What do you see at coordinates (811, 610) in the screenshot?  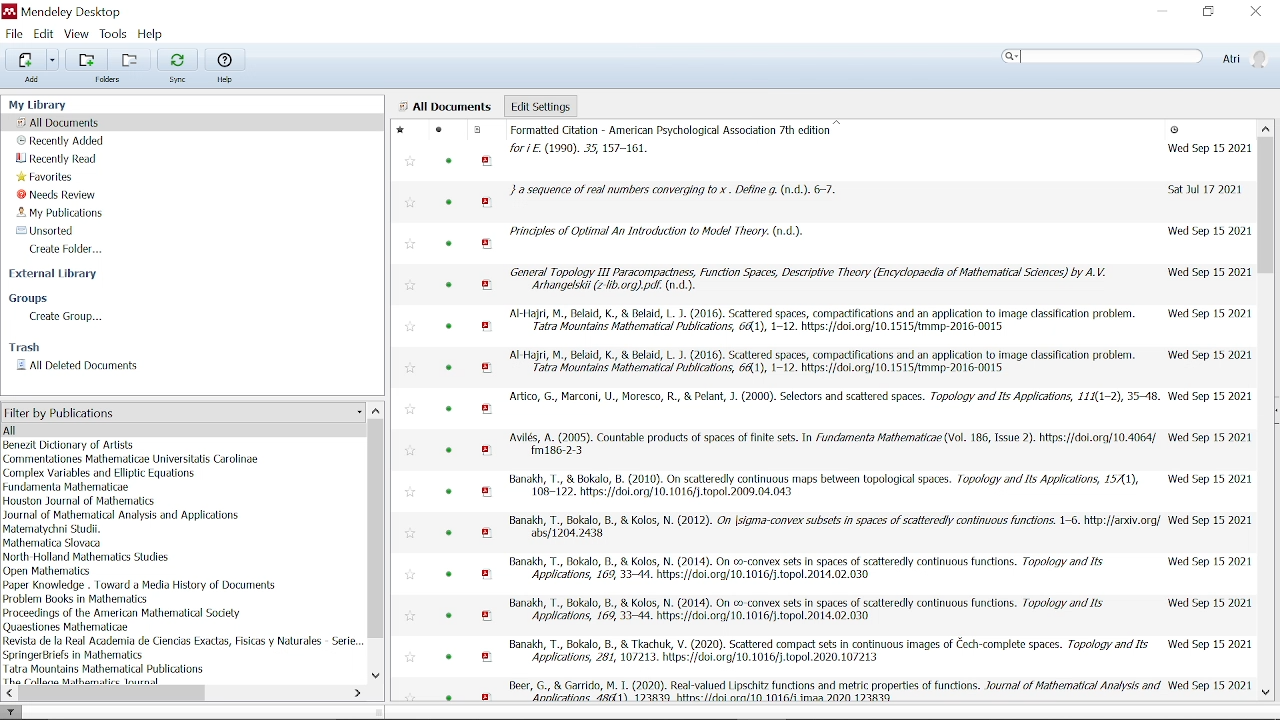 I see `citation` at bounding box center [811, 610].